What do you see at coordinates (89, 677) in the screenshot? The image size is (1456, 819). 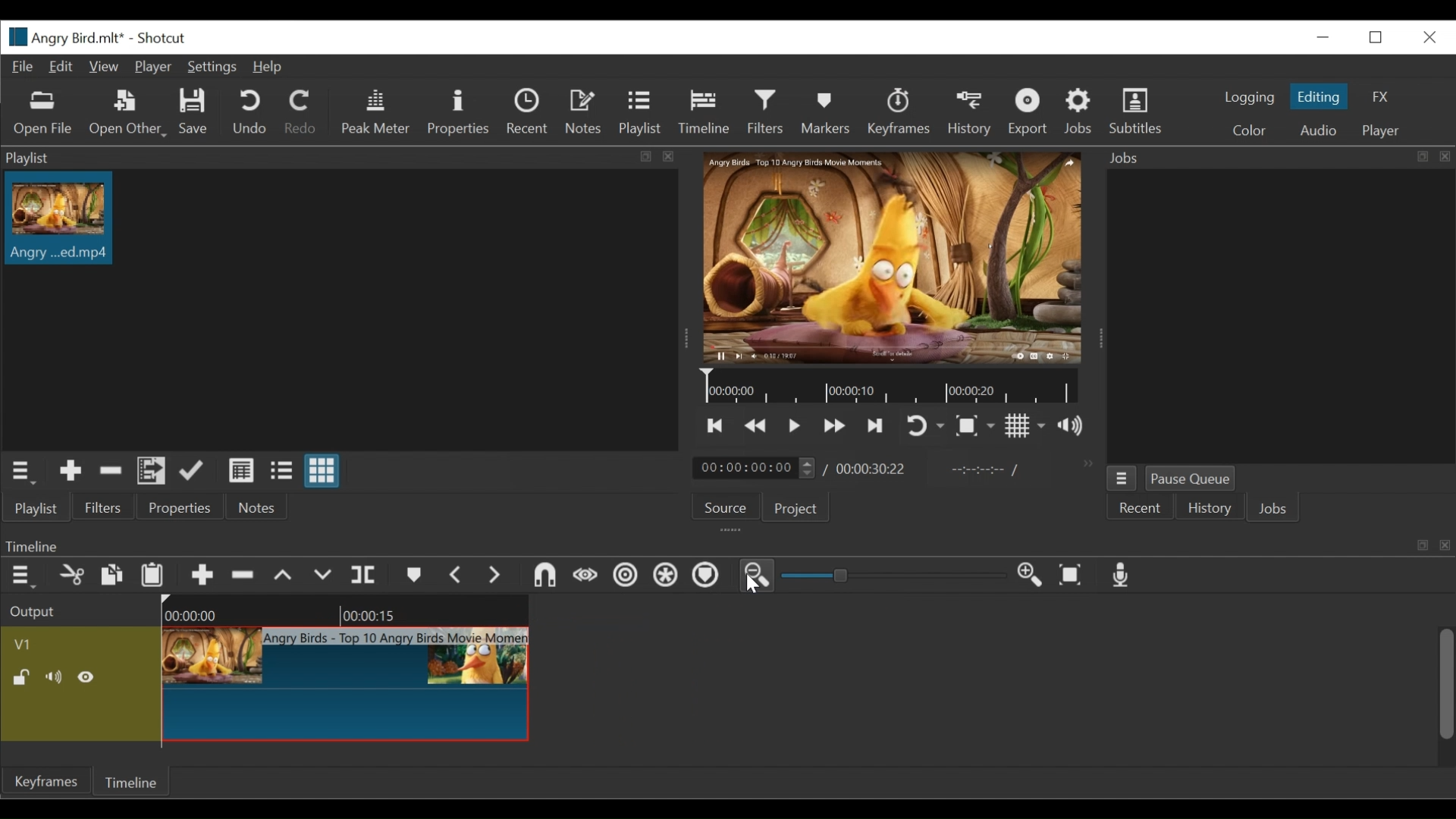 I see `Hide` at bounding box center [89, 677].